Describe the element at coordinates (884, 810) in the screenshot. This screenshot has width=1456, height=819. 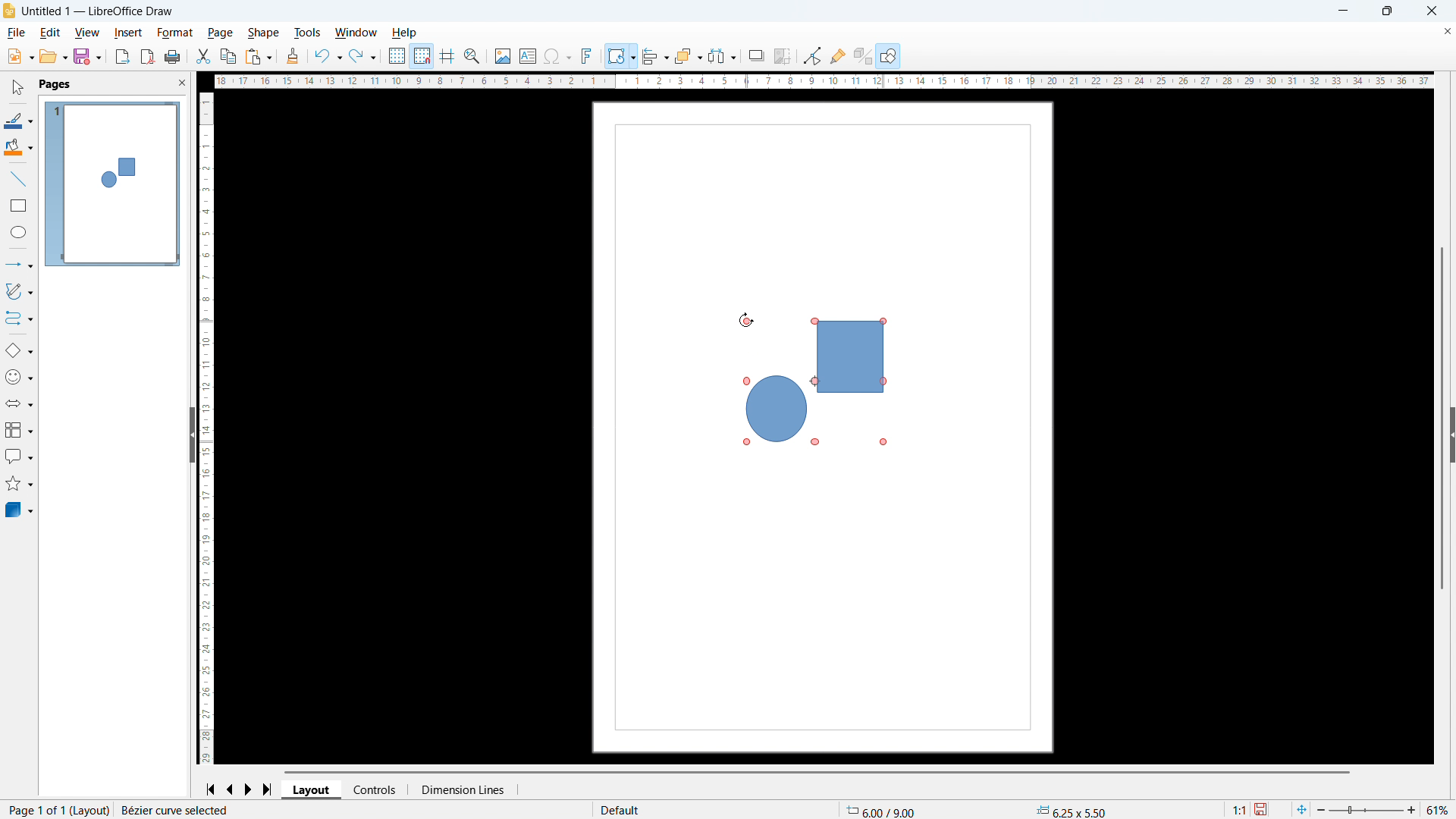
I see `Cursor coordinates ` at that location.